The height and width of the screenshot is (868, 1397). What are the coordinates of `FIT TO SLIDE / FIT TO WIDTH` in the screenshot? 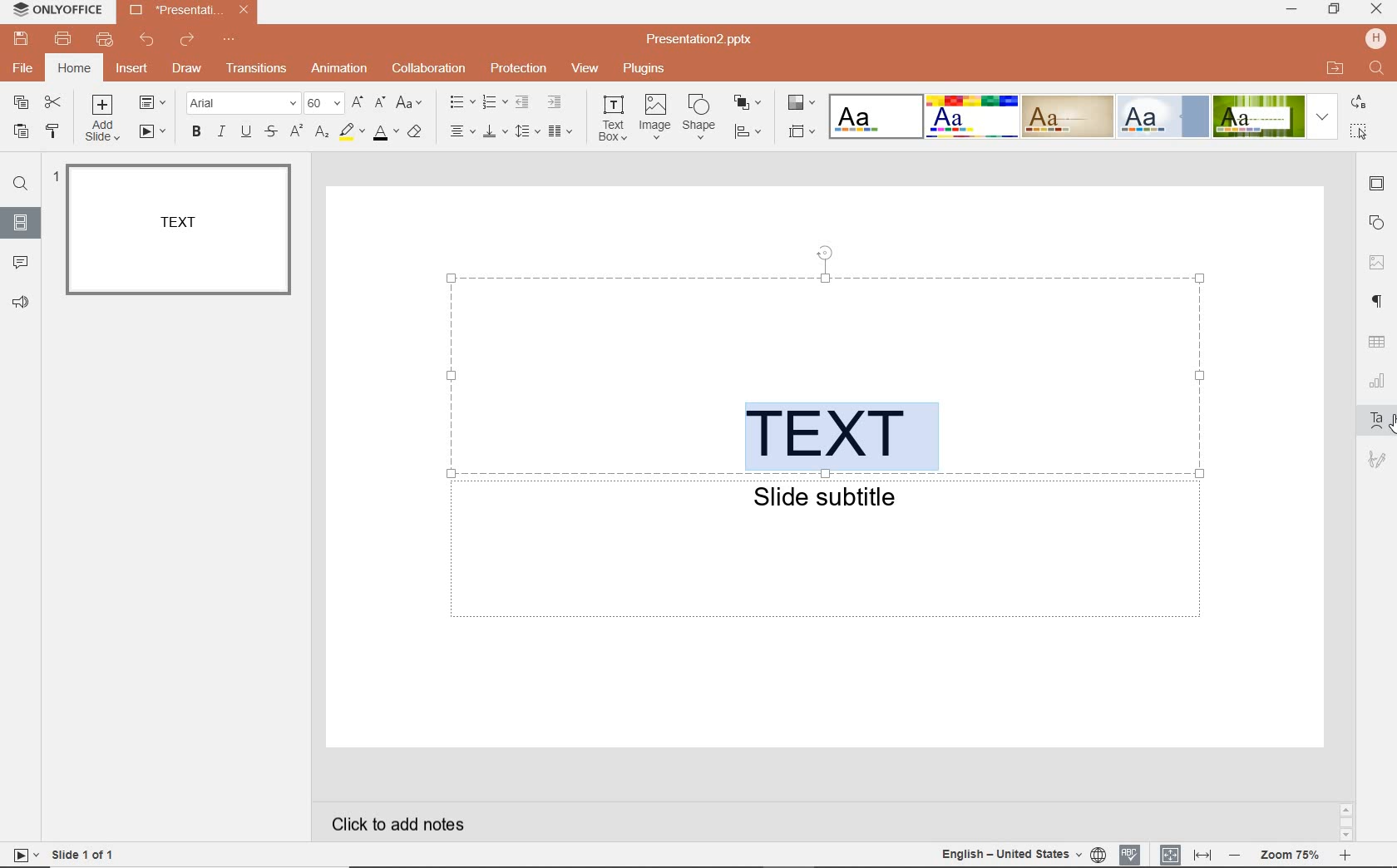 It's located at (1187, 852).